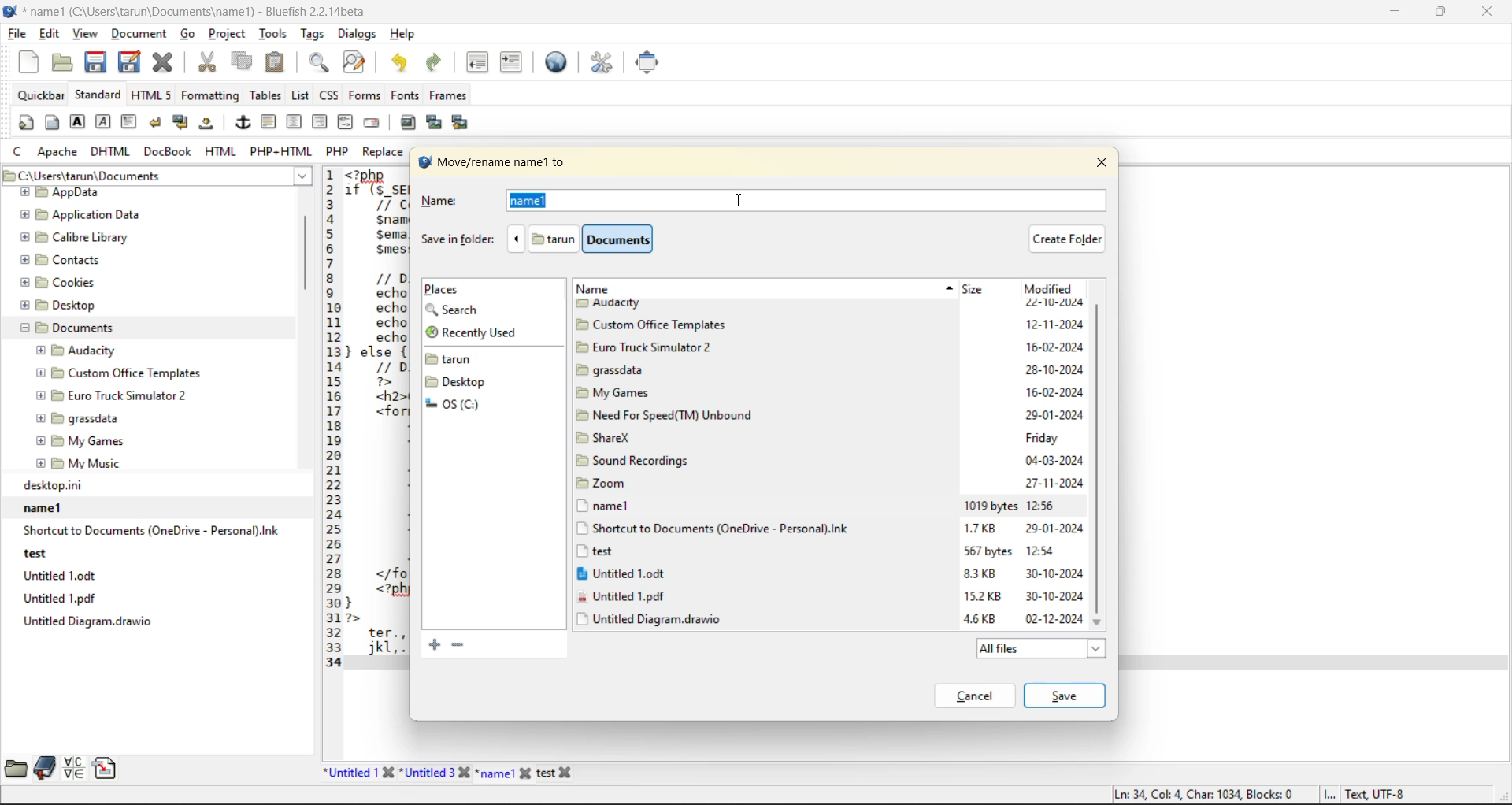  Describe the element at coordinates (292, 123) in the screenshot. I see `center` at that location.